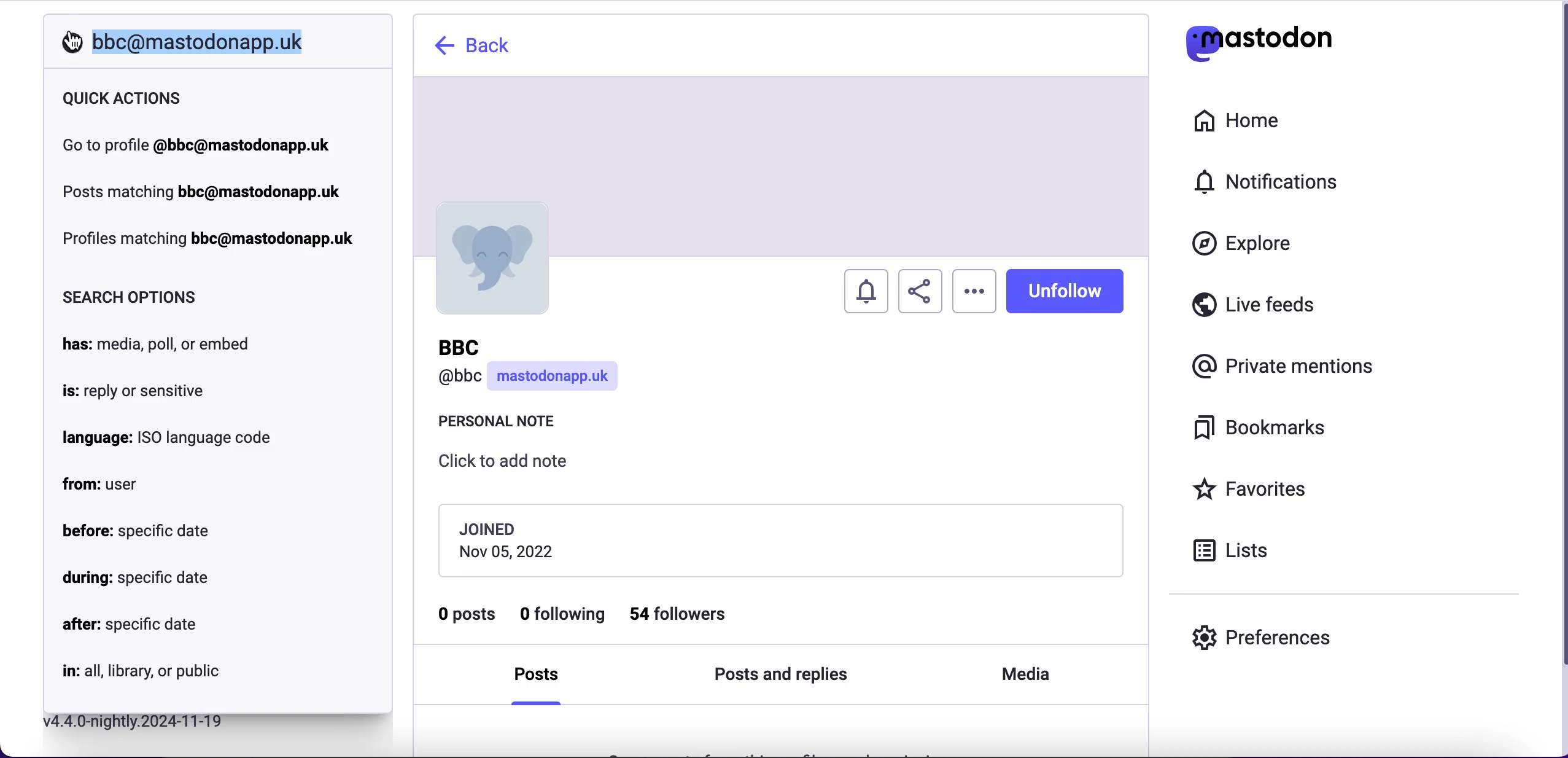 The image size is (1568, 758). I want to click on after: specific date, so click(130, 628).